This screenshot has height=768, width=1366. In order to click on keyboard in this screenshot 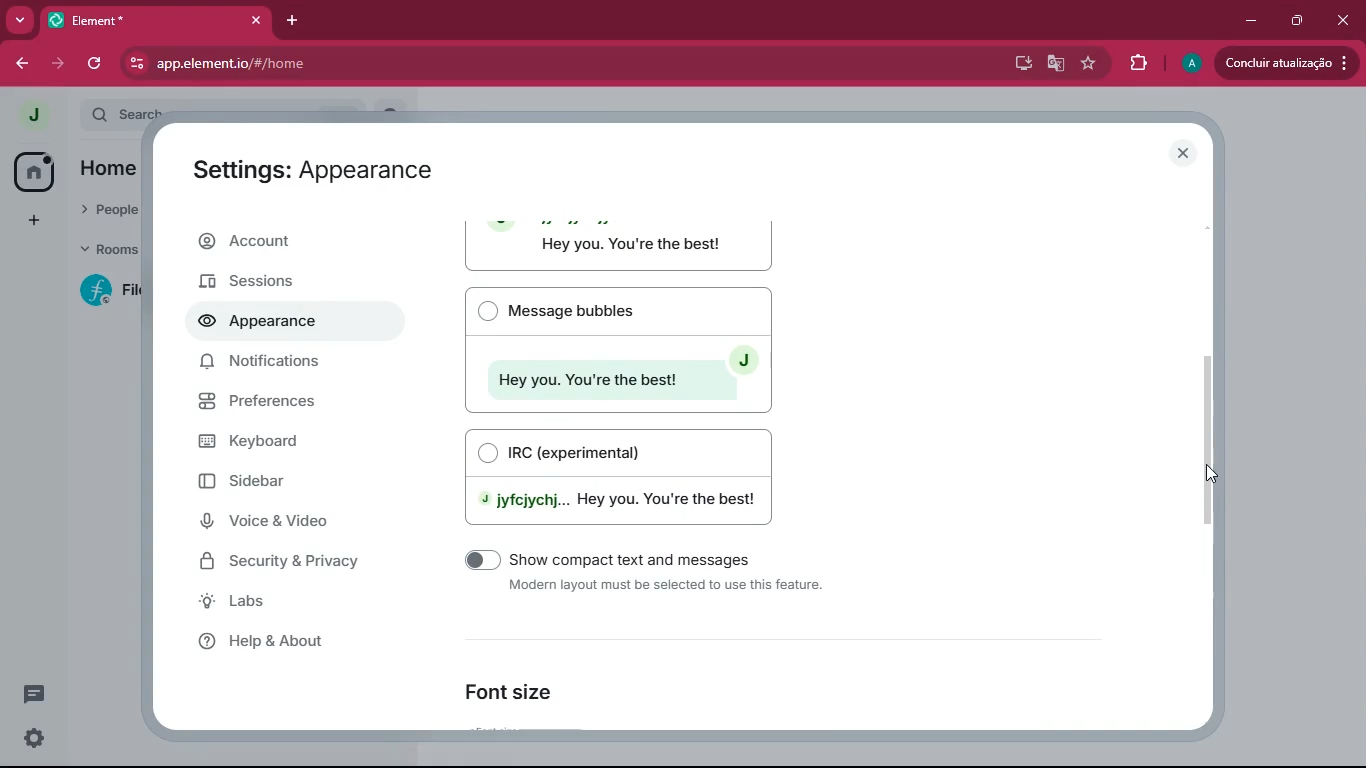, I will do `click(283, 443)`.